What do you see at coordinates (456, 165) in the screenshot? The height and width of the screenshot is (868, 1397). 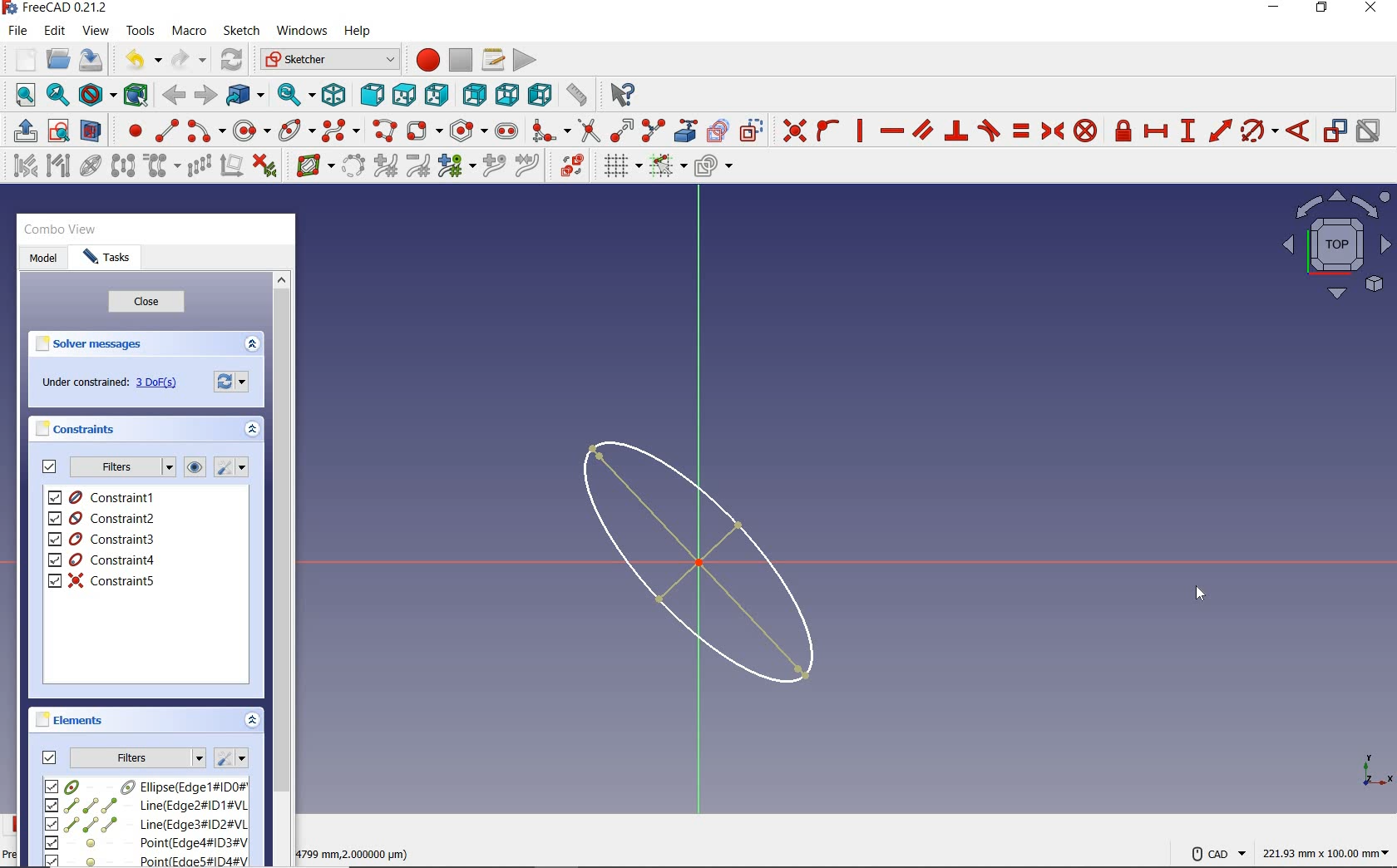 I see `modify knot multiplicity` at bounding box center [456, 165].